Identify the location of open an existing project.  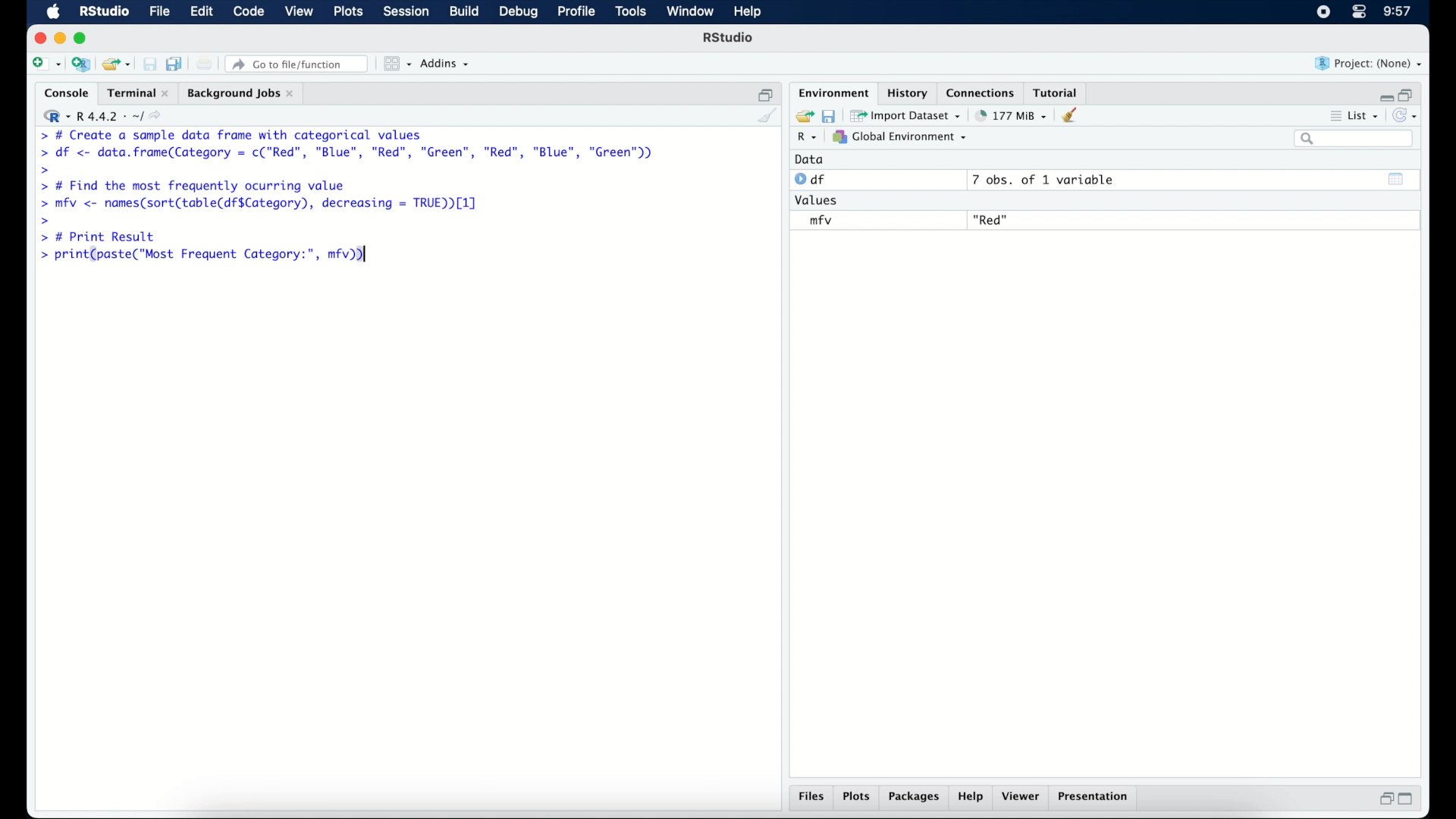
(117, 64).